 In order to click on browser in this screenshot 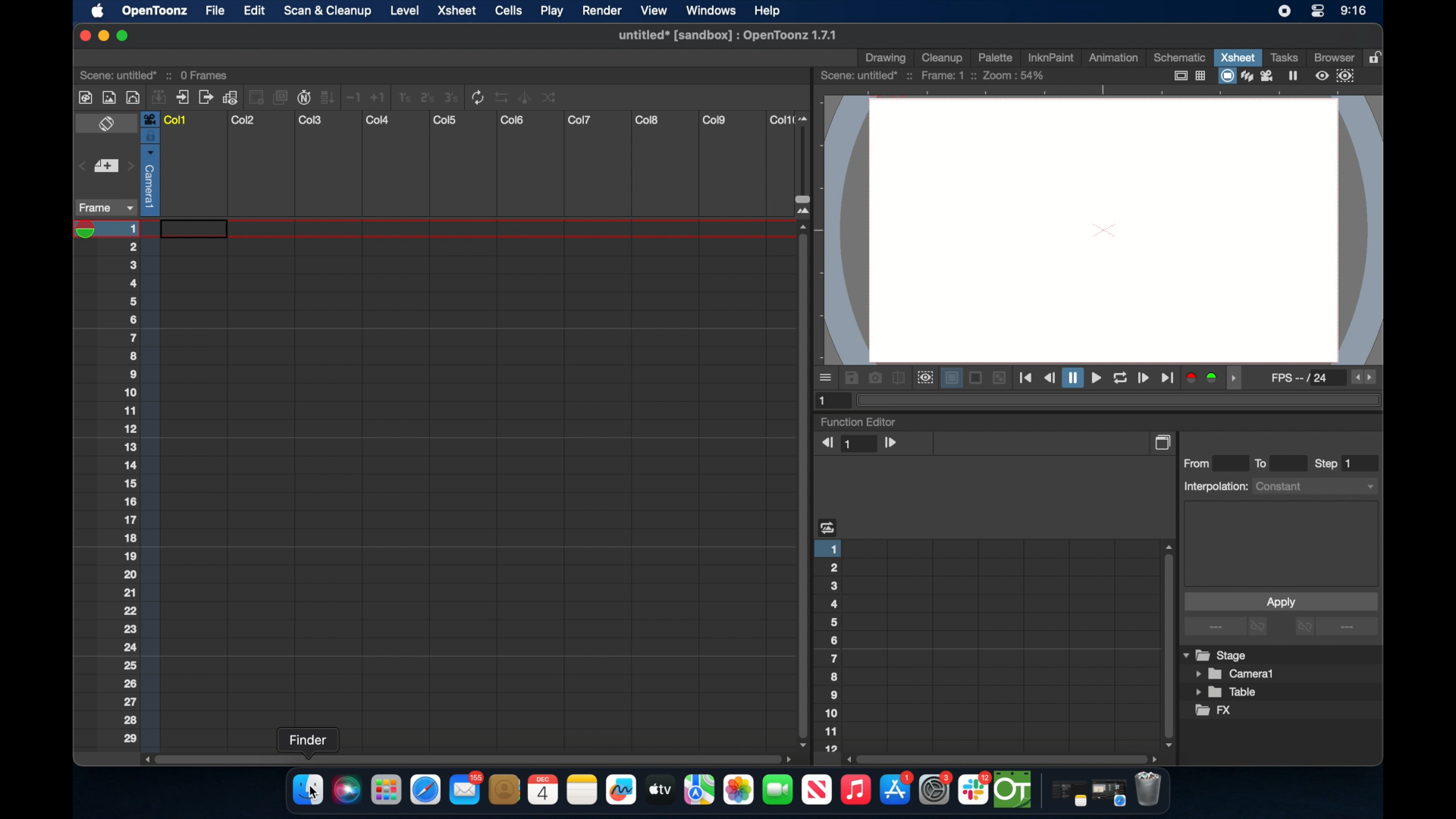, I will do `click(1332, 56)`.